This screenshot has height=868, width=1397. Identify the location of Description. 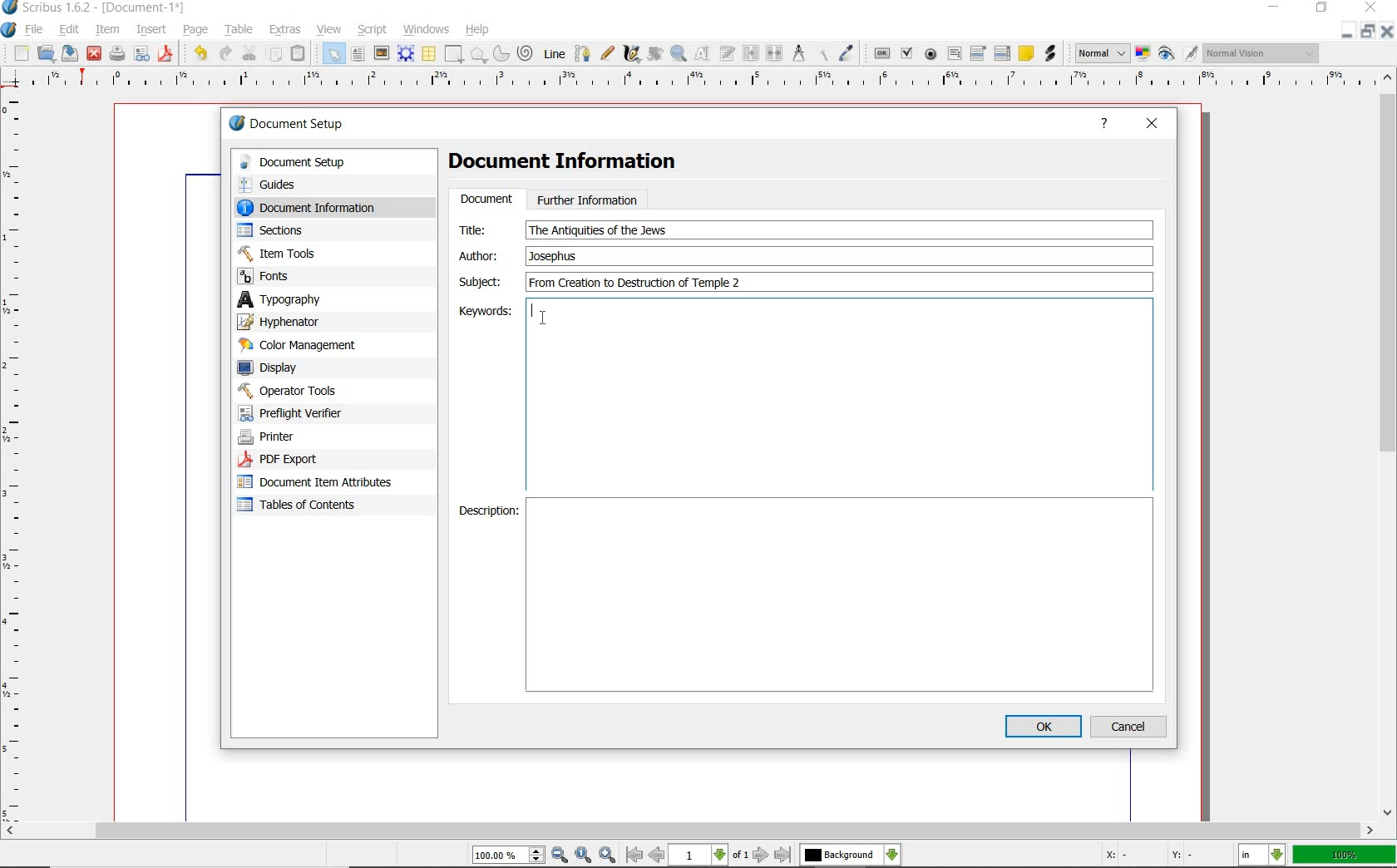
(482, 514).